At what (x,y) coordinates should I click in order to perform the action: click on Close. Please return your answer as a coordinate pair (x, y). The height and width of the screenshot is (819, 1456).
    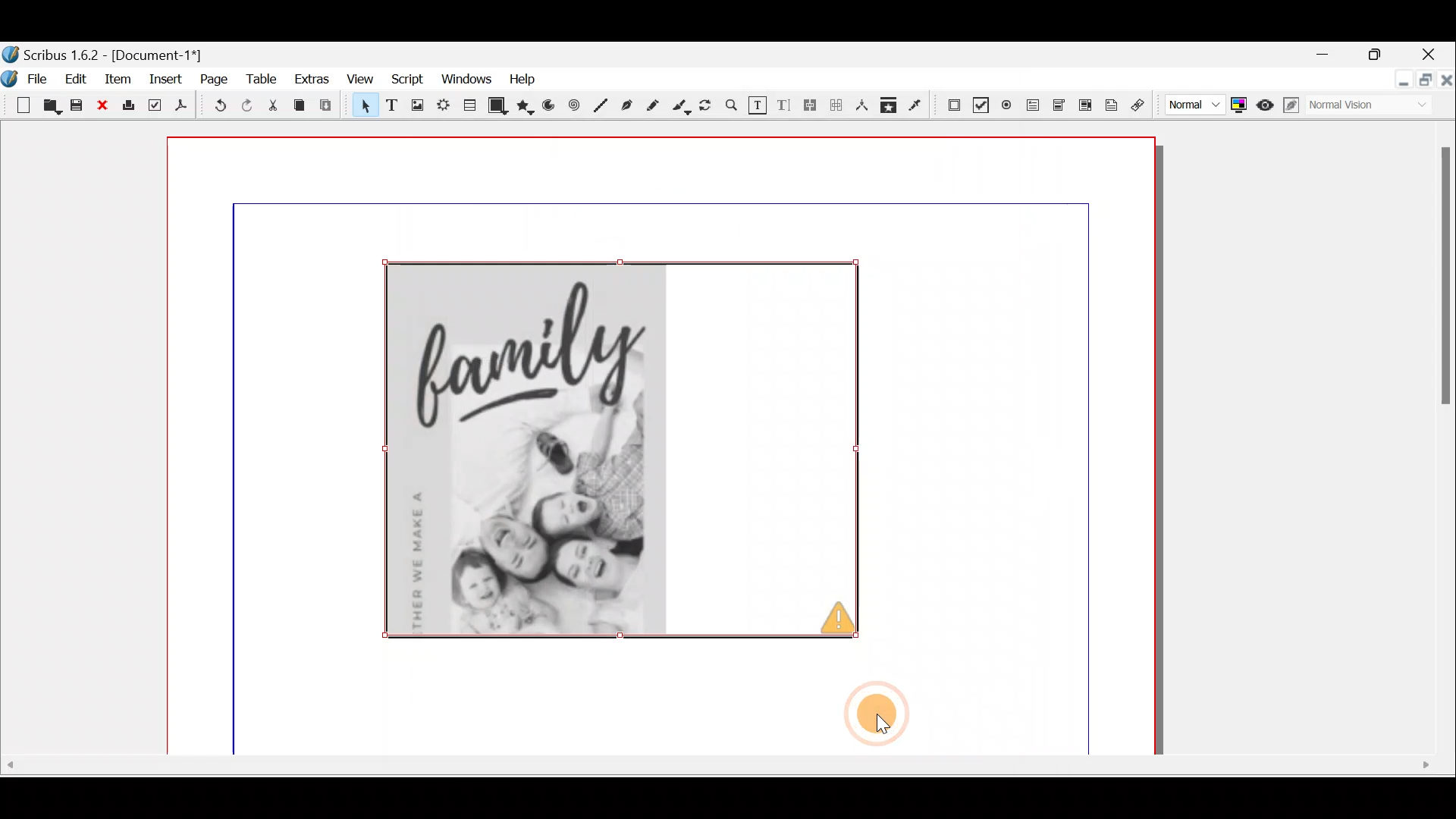
    Looking at the image, I should click on (1446, 81).